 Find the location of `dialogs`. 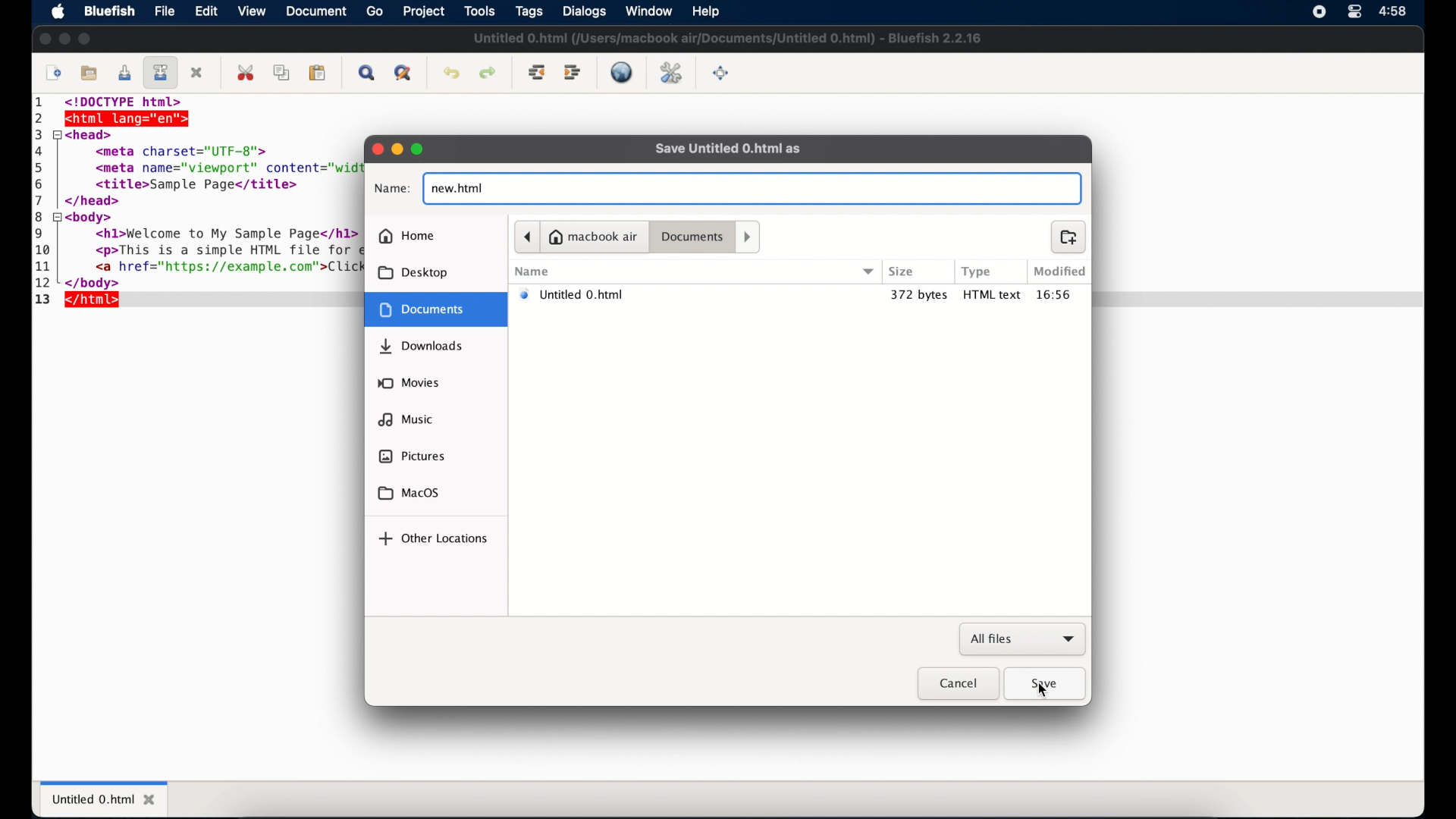

dialogs is located at coordinates (584, 11).